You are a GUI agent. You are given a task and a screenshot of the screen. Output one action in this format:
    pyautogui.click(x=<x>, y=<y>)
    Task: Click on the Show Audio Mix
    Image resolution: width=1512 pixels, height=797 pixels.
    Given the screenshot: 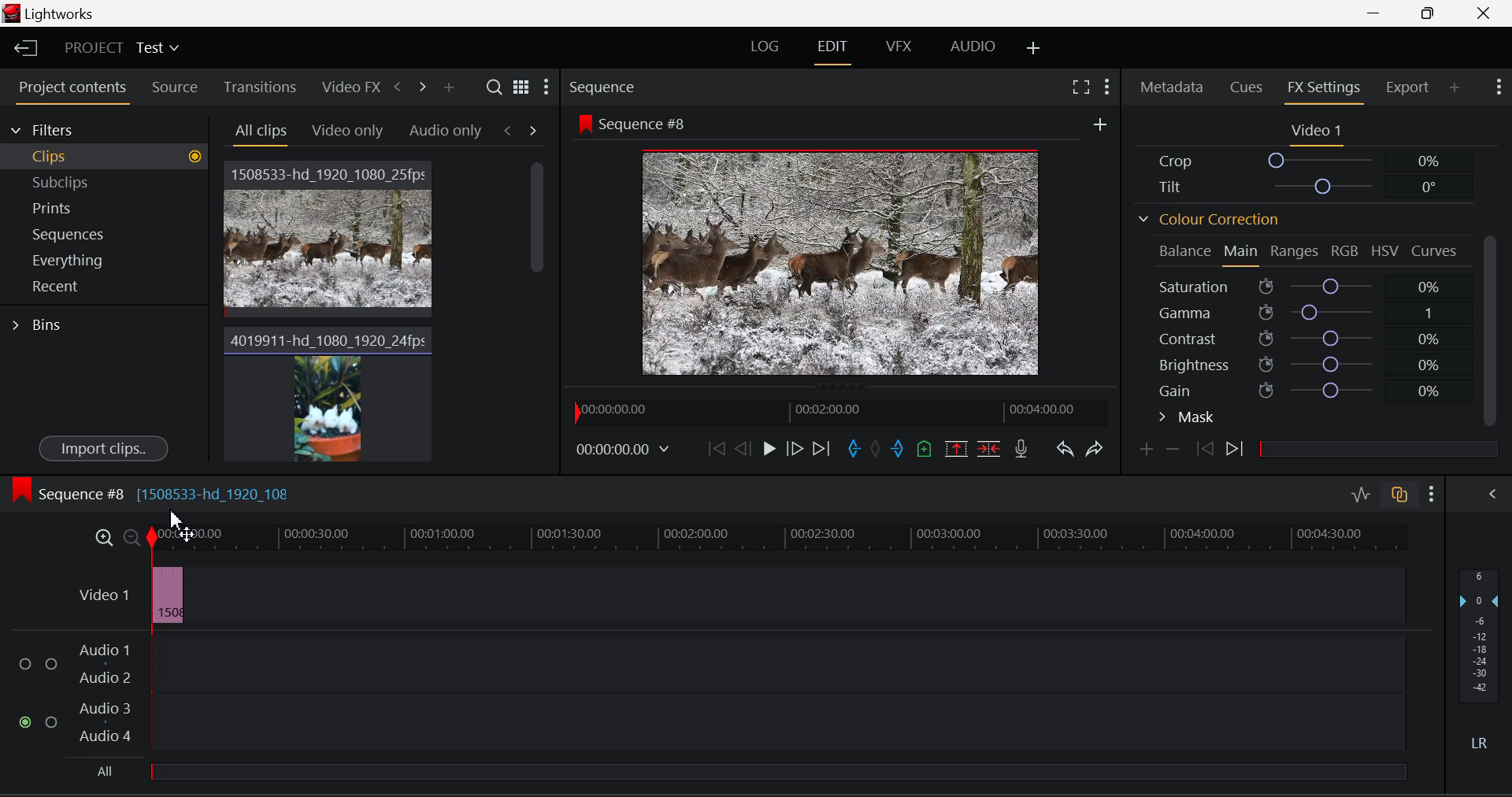 What is the action you would take?
    pyautogui.click(x=1496, y=496)
    